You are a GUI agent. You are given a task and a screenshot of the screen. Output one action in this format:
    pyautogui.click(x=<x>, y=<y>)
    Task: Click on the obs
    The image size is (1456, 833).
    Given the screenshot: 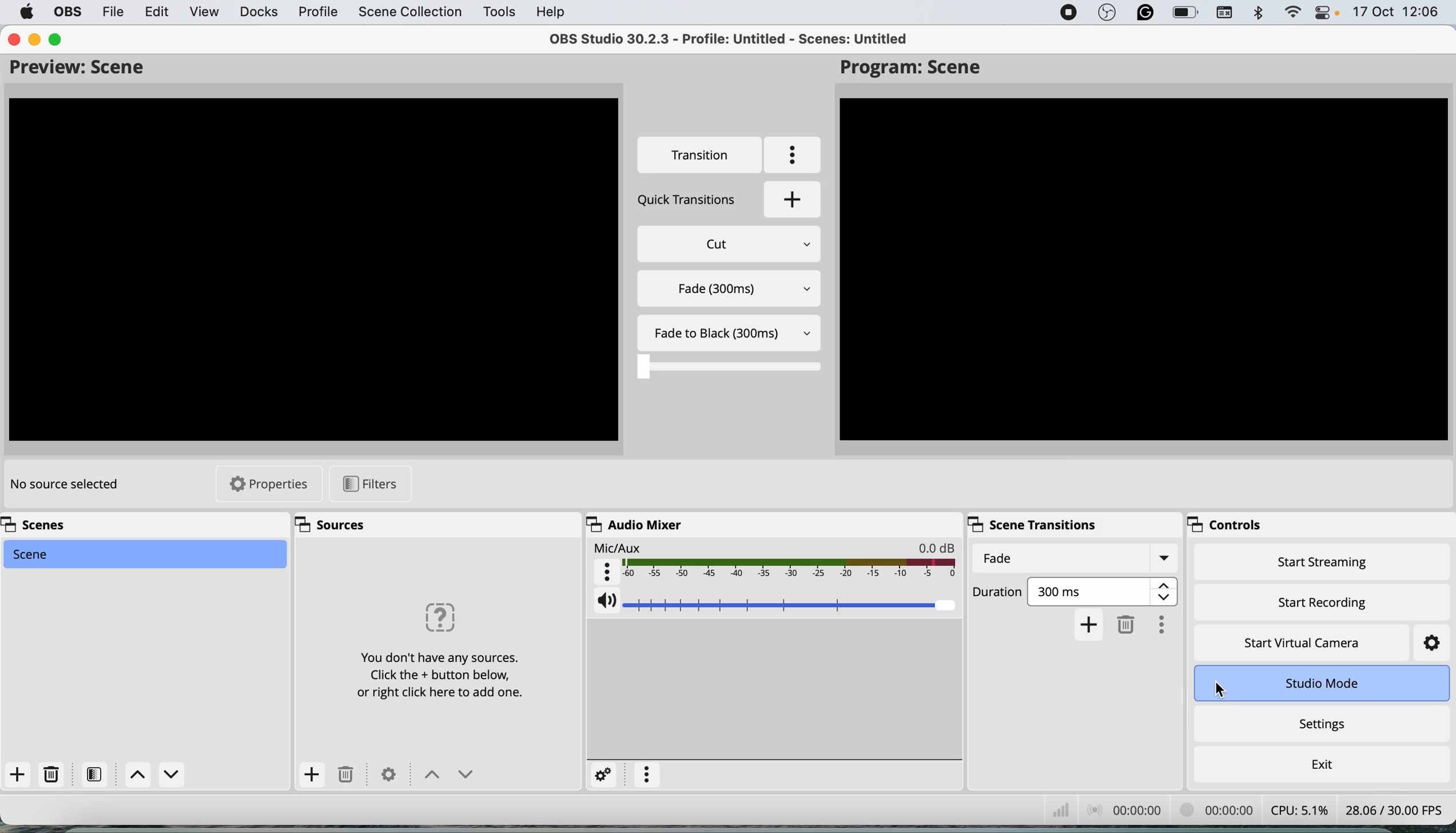 What is the action you would take?
    pyautogui.click(x=1106, y=11)
    